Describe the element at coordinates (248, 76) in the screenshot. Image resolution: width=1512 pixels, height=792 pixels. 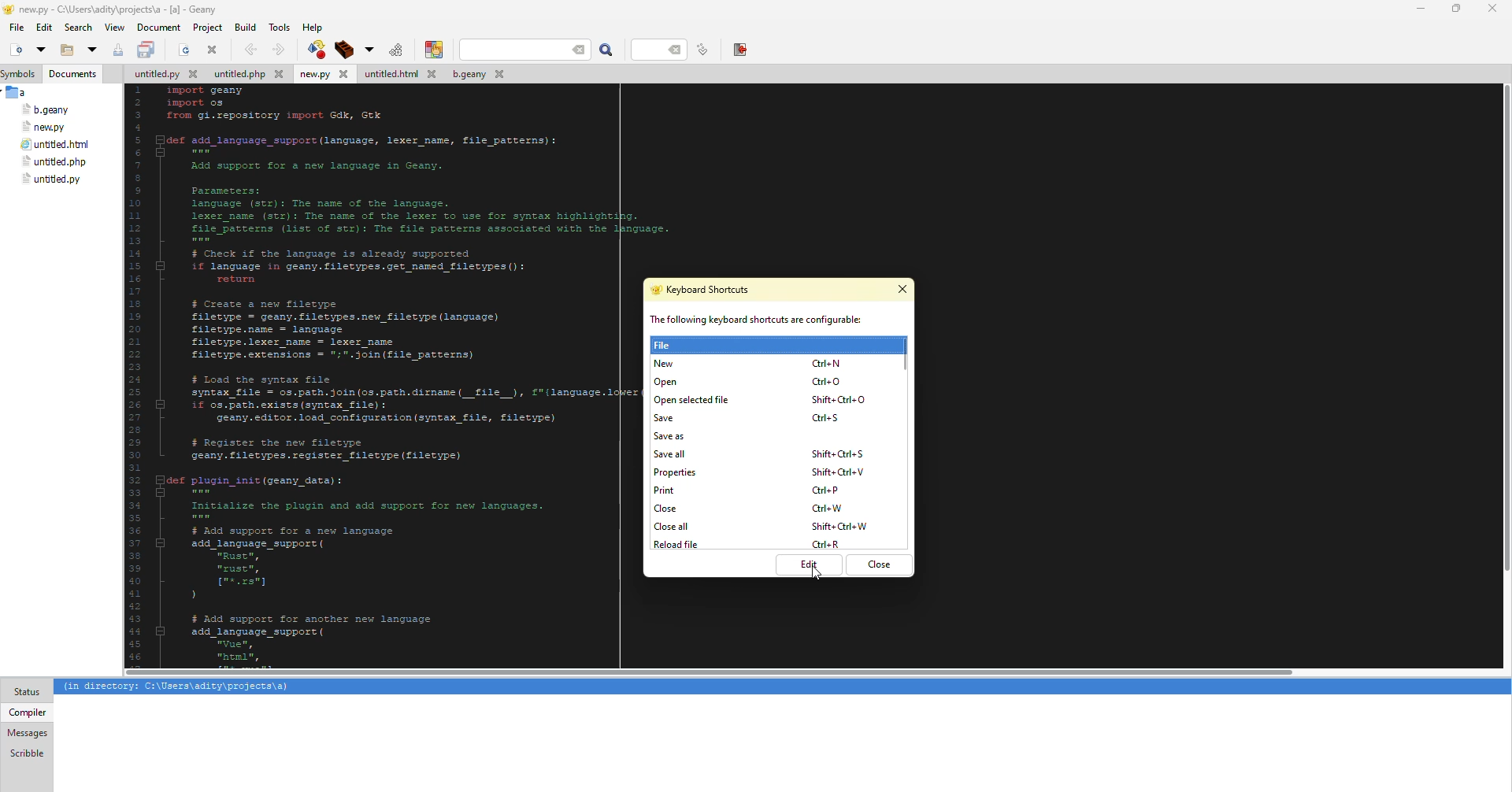
I see `file` at that location.